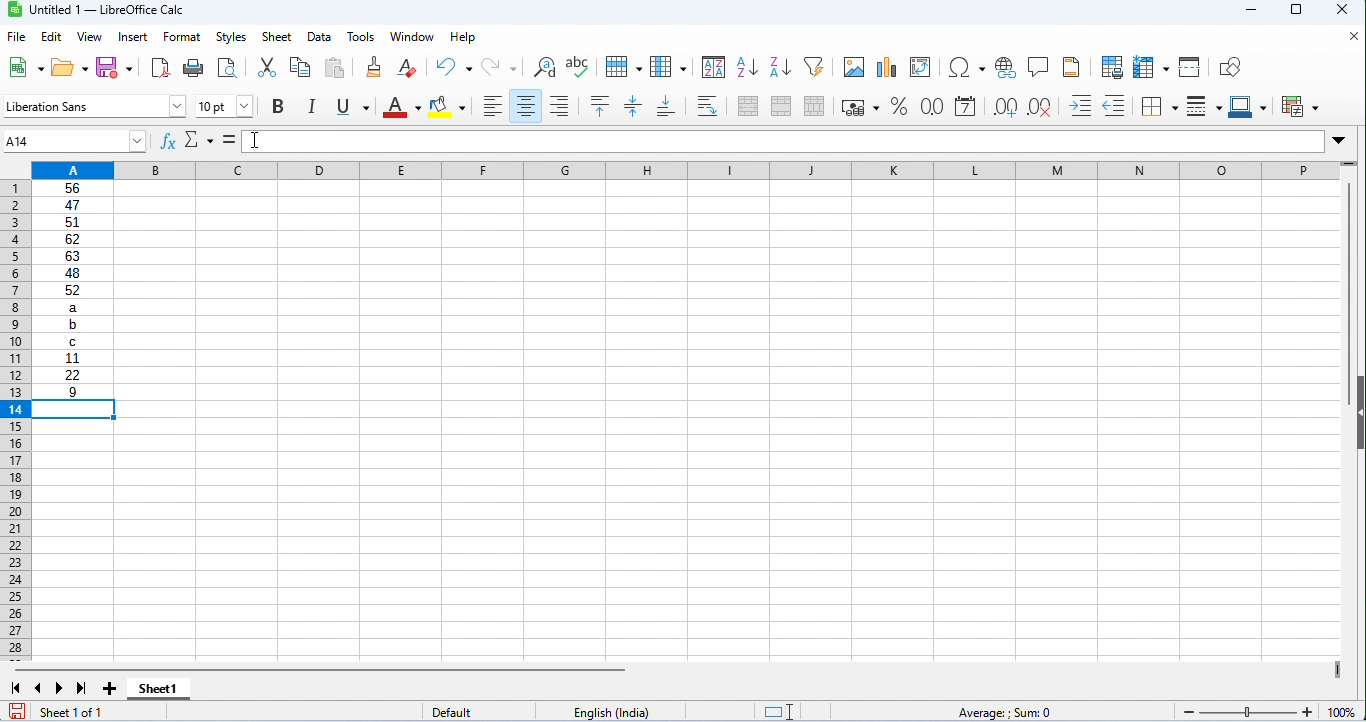 The width and height of the screenshot is (1366, 722). Describe the element at coordinates (1190, 67) in the screenshot. I see `split window` at that location.